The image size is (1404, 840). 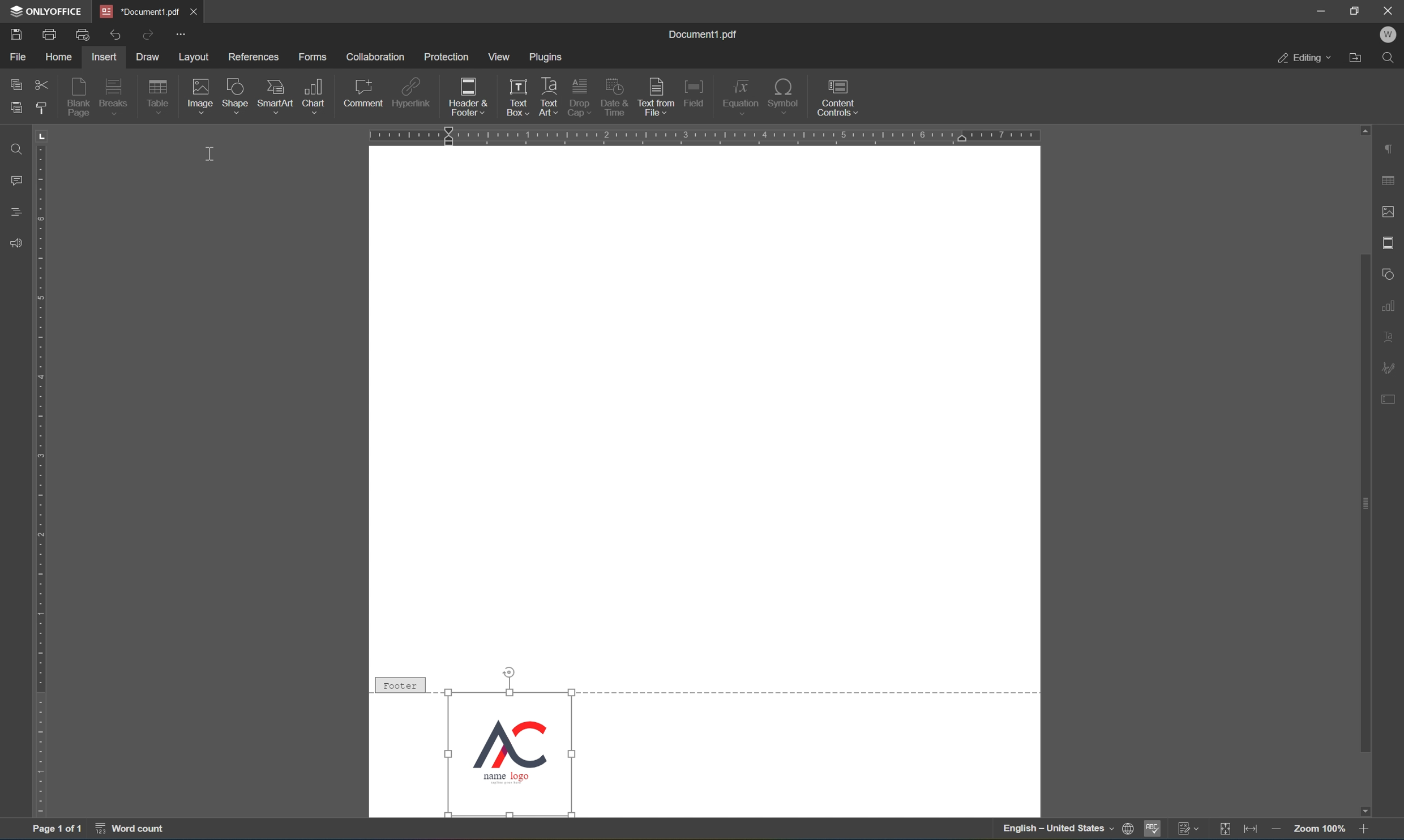 I want to click on open file location, so click(x=1358, y=59).